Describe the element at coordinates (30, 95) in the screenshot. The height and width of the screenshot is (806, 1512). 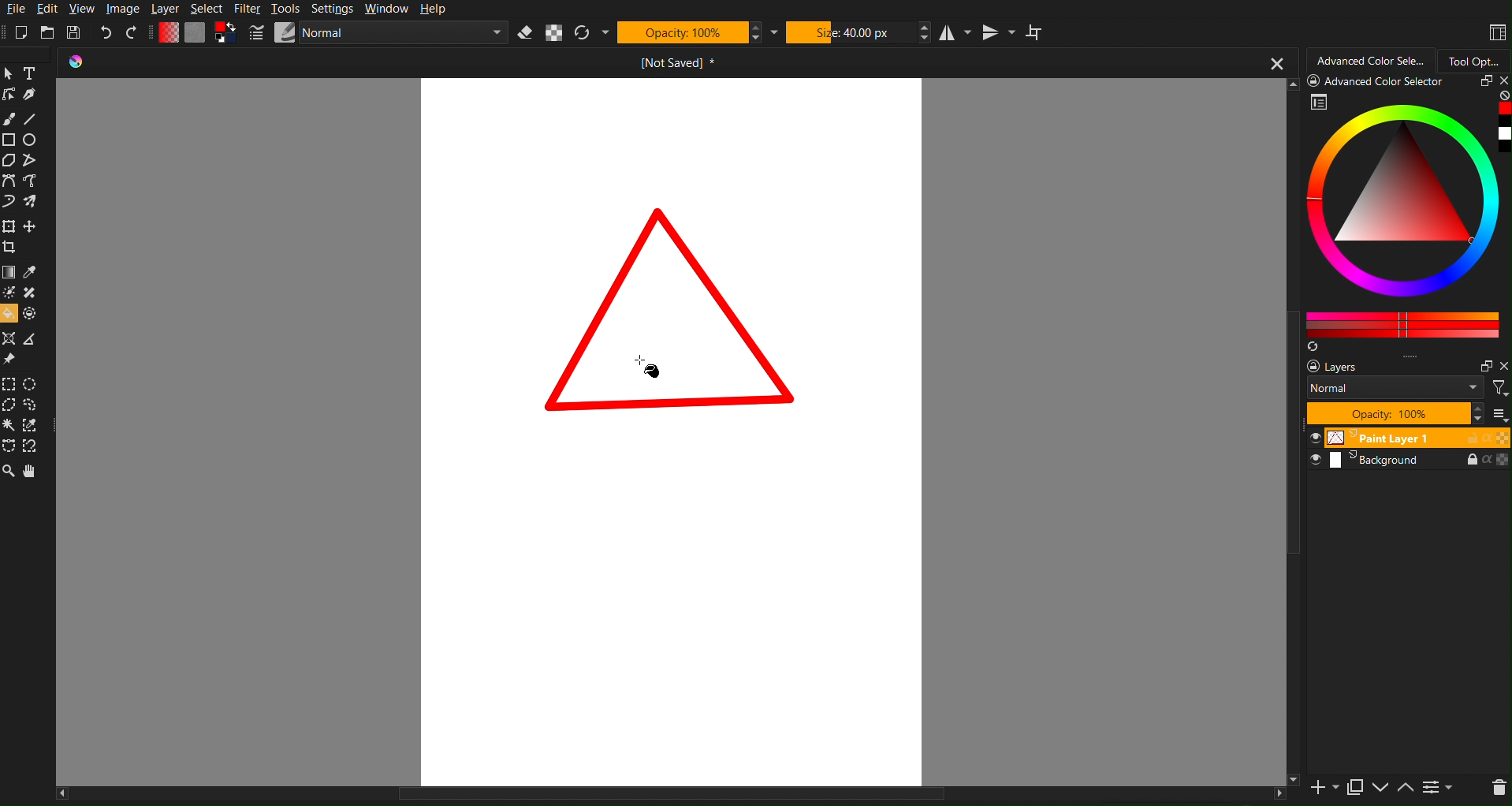
I see `calligraphy` at that location.